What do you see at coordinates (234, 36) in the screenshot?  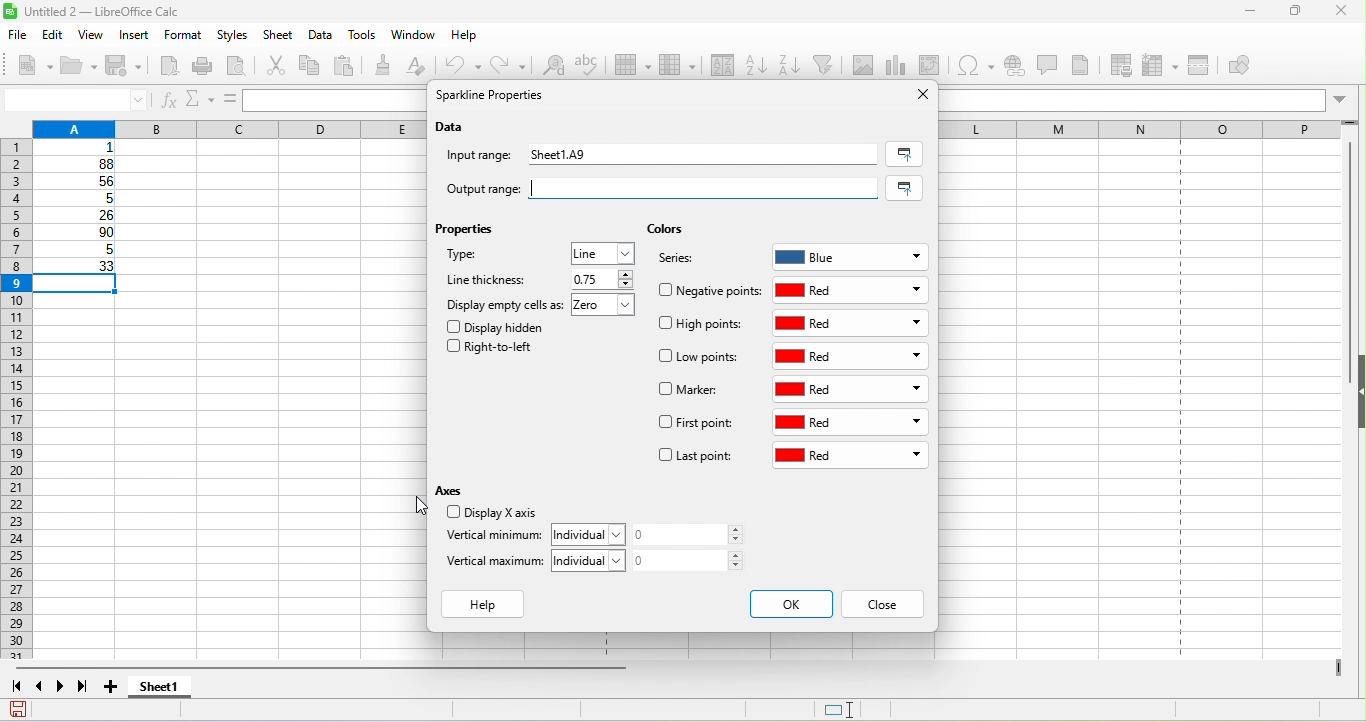 I see `styles` at bounding box center [234, 36].